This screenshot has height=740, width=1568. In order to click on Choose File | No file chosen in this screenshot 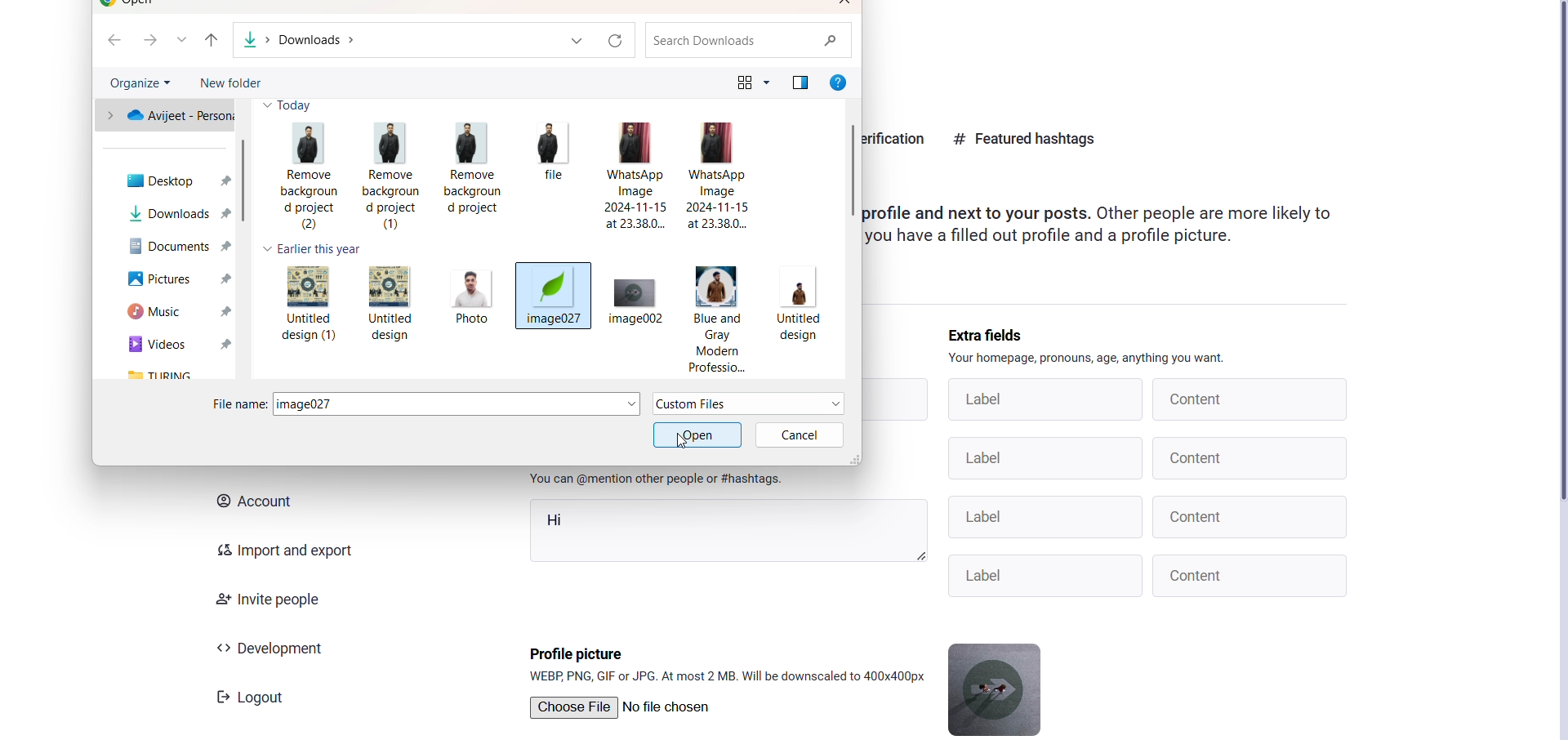, I will do `click(621, 707)`.